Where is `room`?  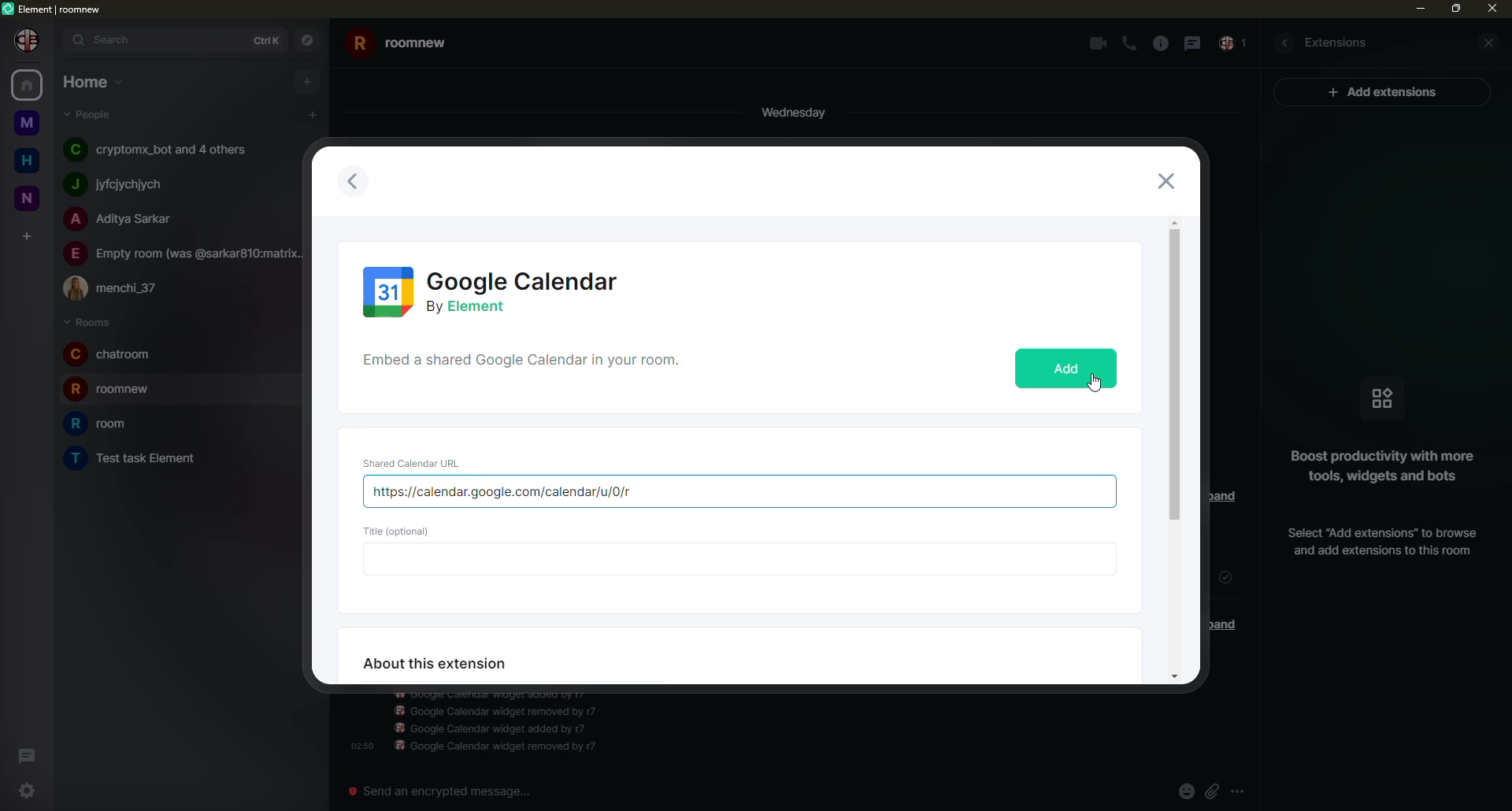 room is located at coordinates (137, 457).